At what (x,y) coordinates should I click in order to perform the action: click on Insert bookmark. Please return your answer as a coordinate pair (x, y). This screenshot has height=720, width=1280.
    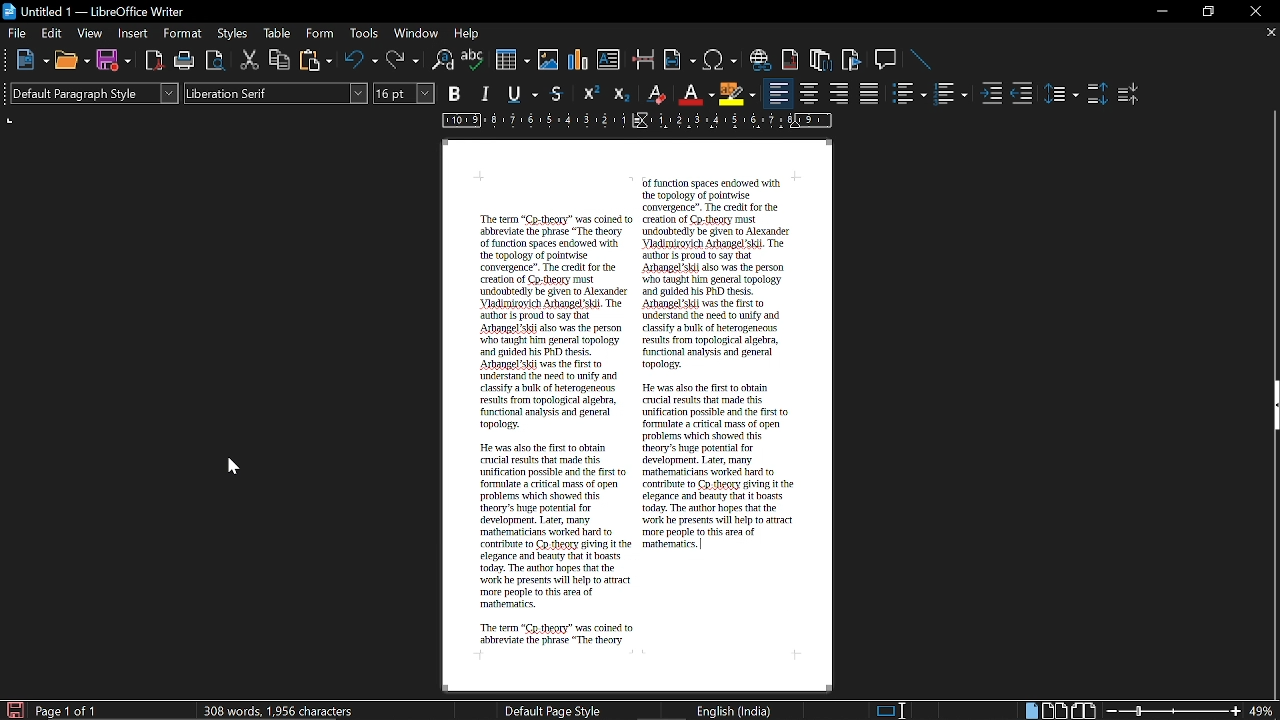
    Looking at the image, I should click on (853, 61).